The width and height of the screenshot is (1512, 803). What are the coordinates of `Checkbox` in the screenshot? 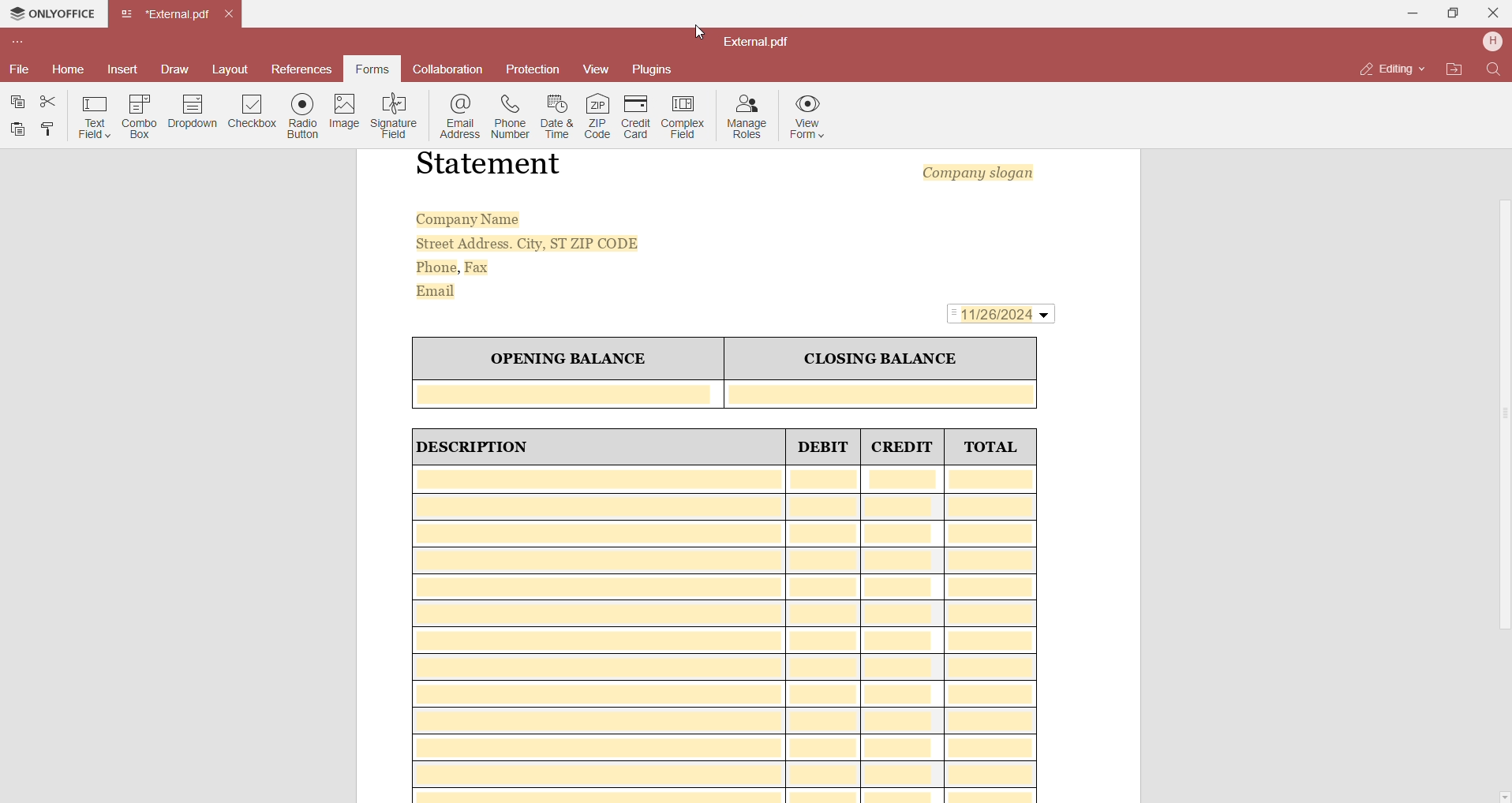 It's located at (251, 112).